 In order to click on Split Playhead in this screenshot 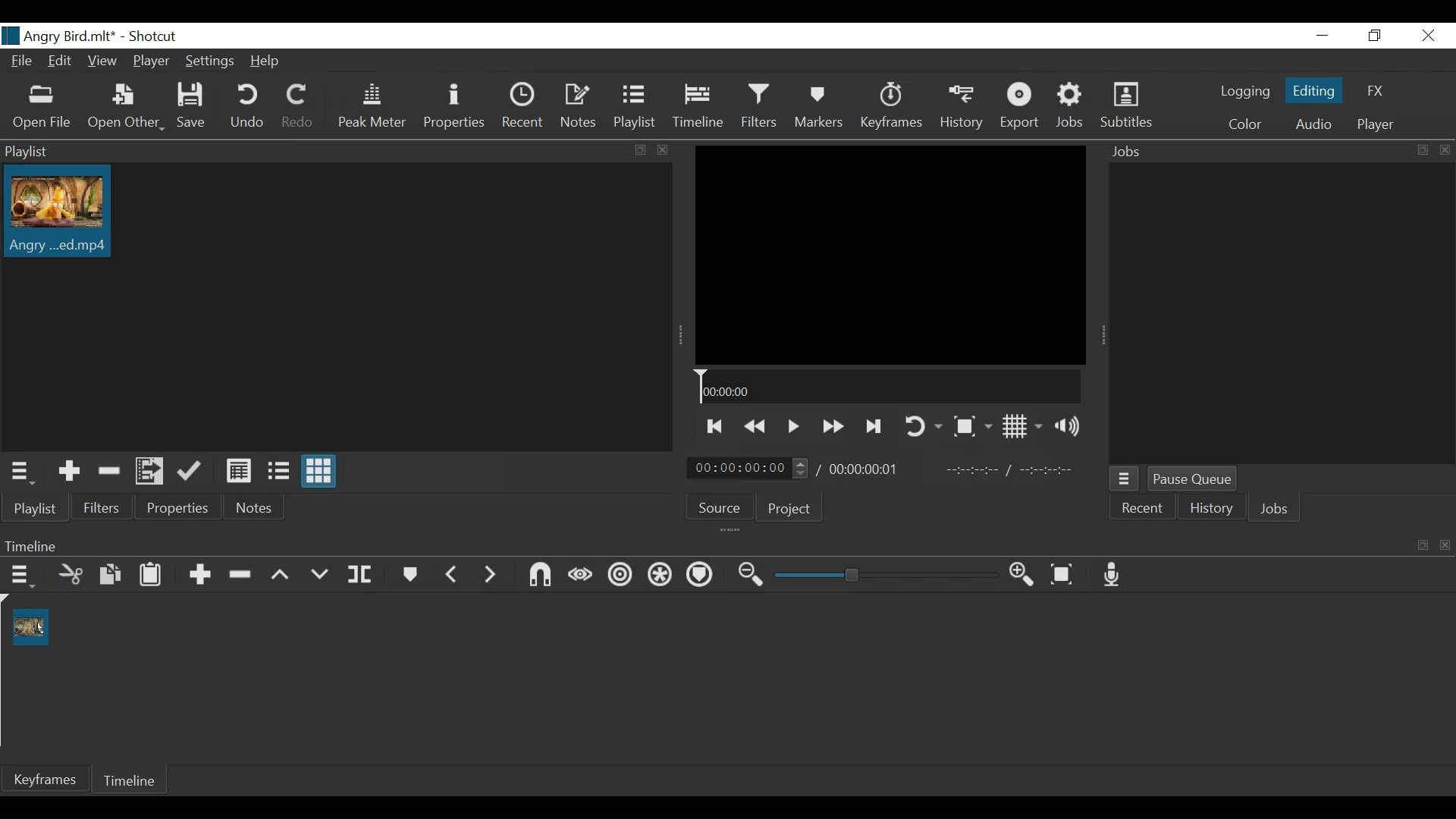, I will do `click(359, 575)`.